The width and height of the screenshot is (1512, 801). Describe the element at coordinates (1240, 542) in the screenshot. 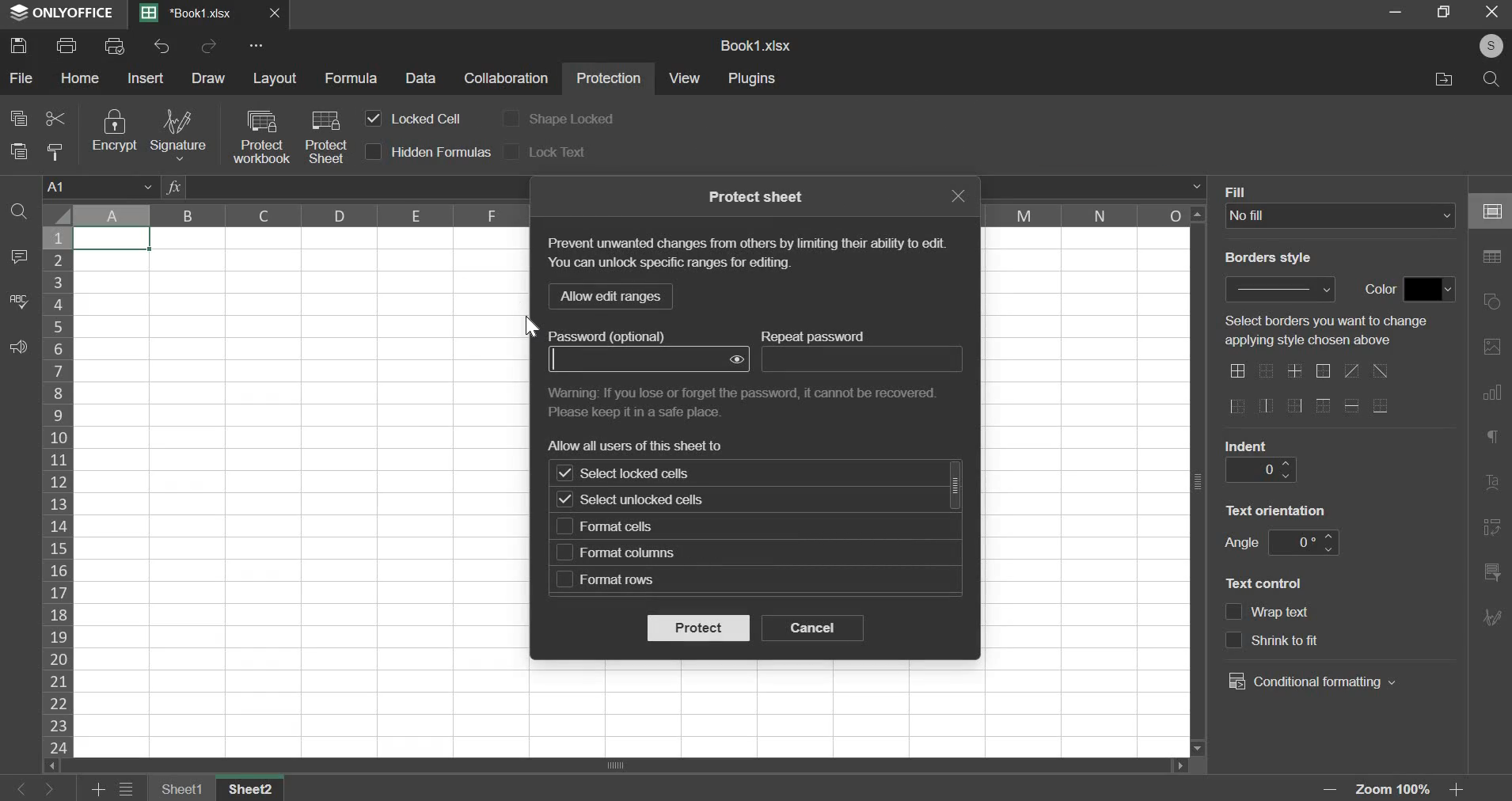

I see `angle` at that location.